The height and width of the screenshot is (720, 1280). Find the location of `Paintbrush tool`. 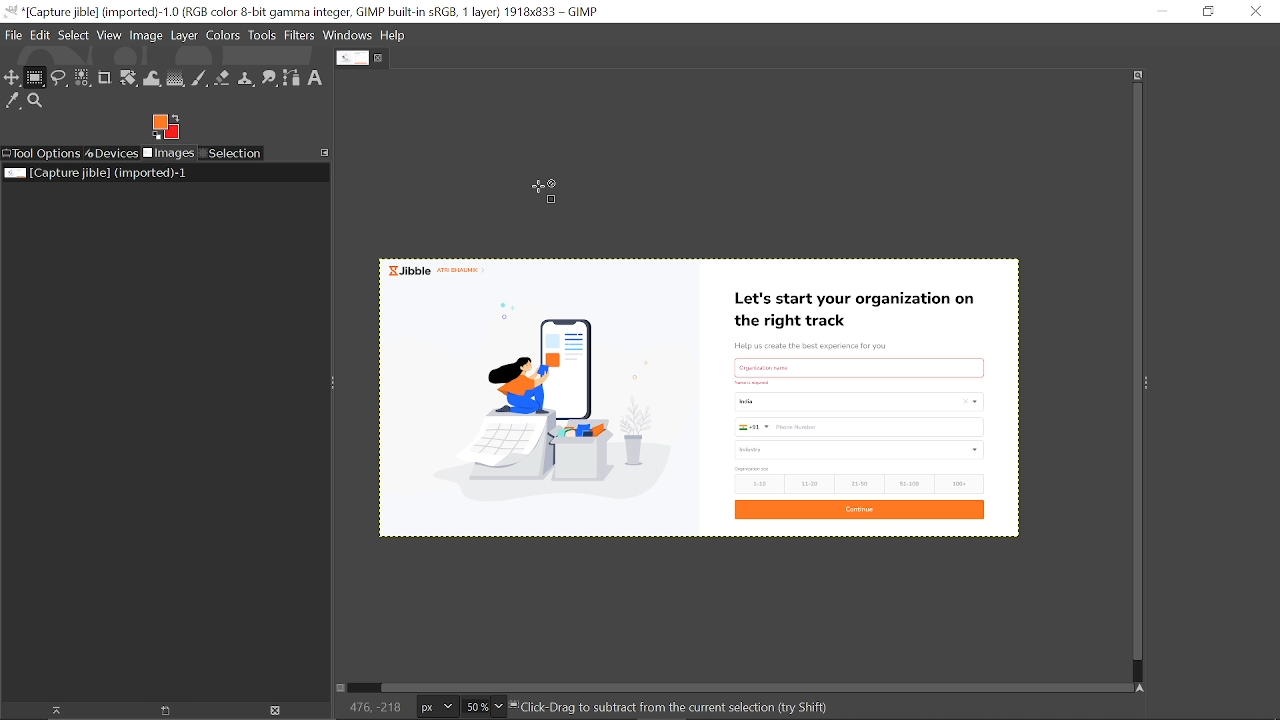

Paintbrush tool is located at coordinates (200, 78).